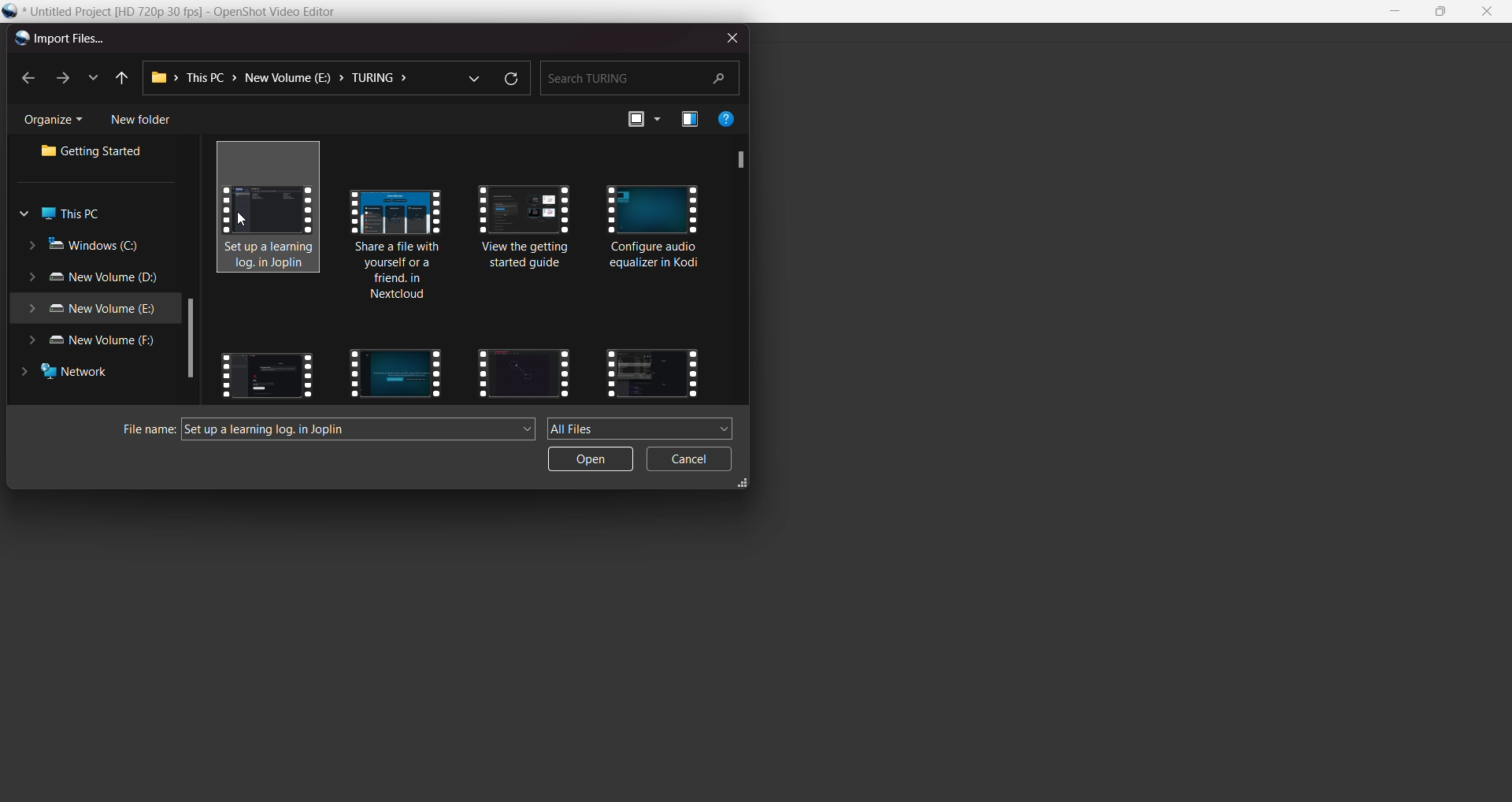 This screenshot has height=802, width=1512. Describe the element at coordinates (524, 370) in the screenshot. I see `videos` at that location.